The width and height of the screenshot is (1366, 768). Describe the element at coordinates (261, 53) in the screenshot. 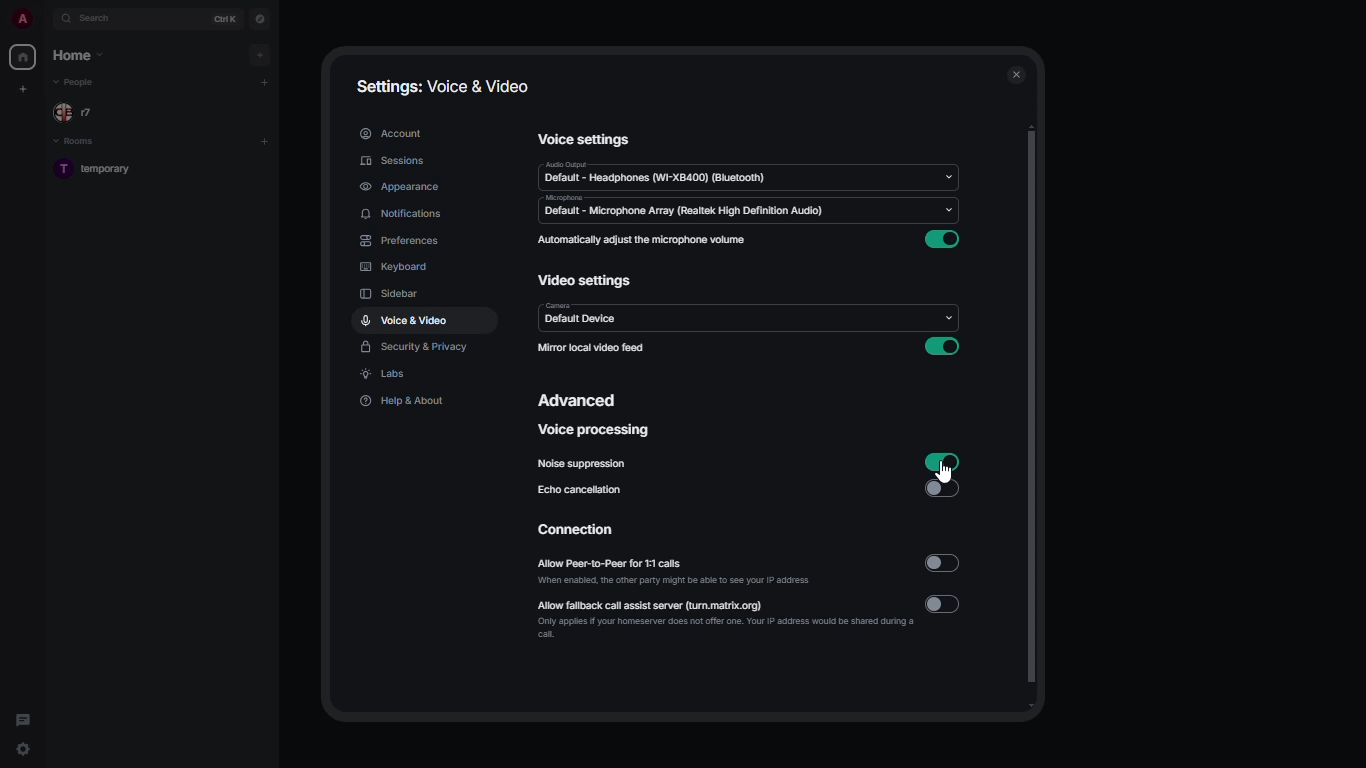

I see `add` at that location.